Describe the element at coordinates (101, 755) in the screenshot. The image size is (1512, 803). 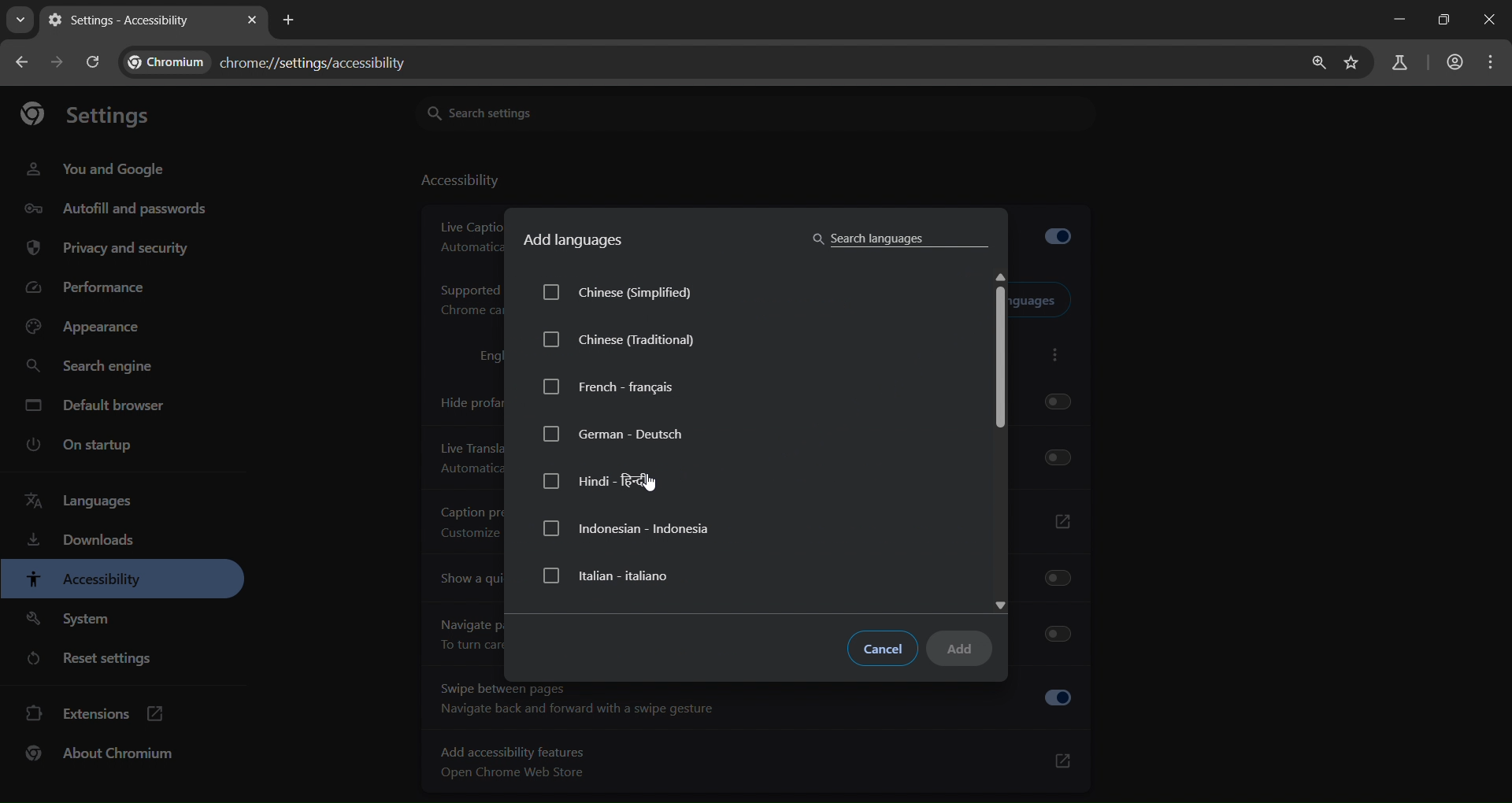
I see `about chromium` at that location.